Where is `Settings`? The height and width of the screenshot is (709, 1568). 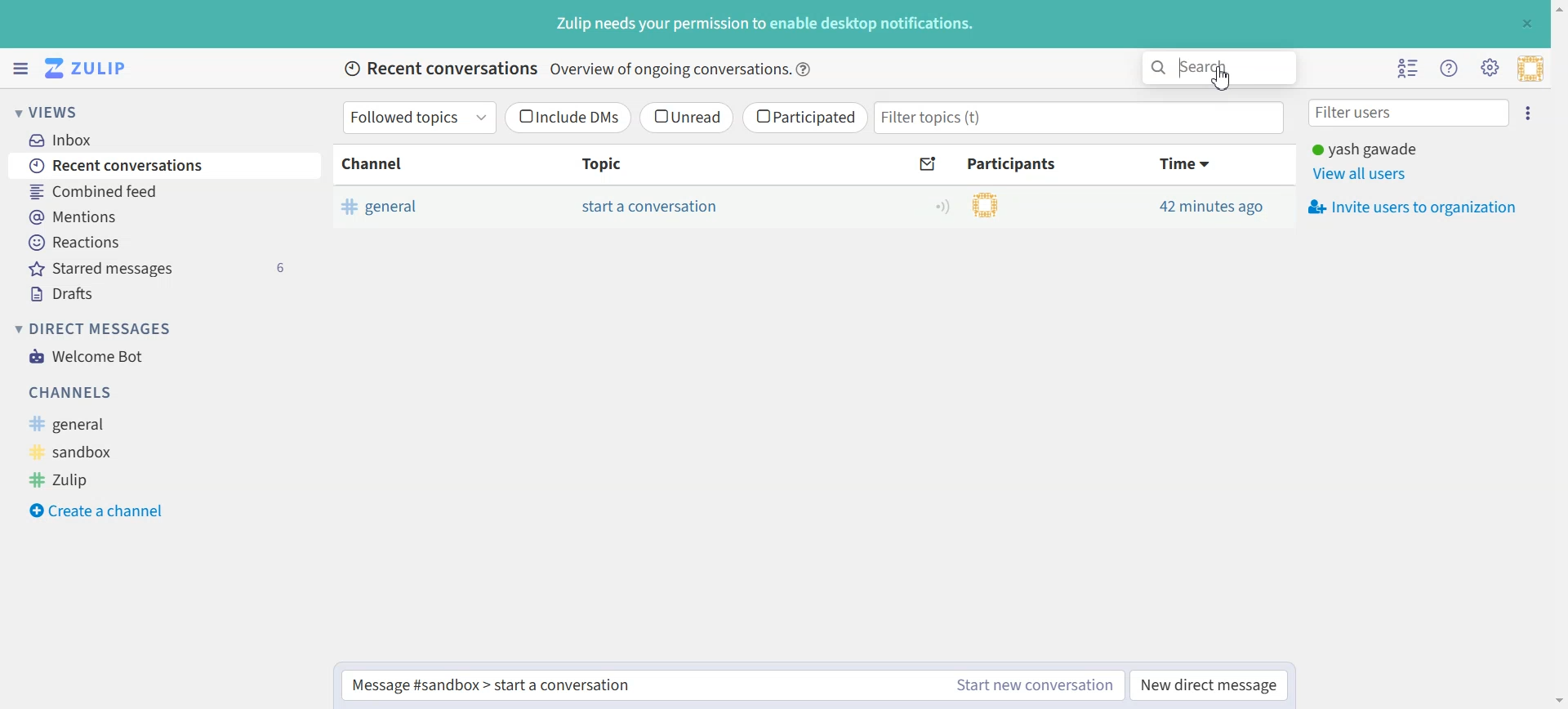
Settings is located at coordinates (1490, 68).